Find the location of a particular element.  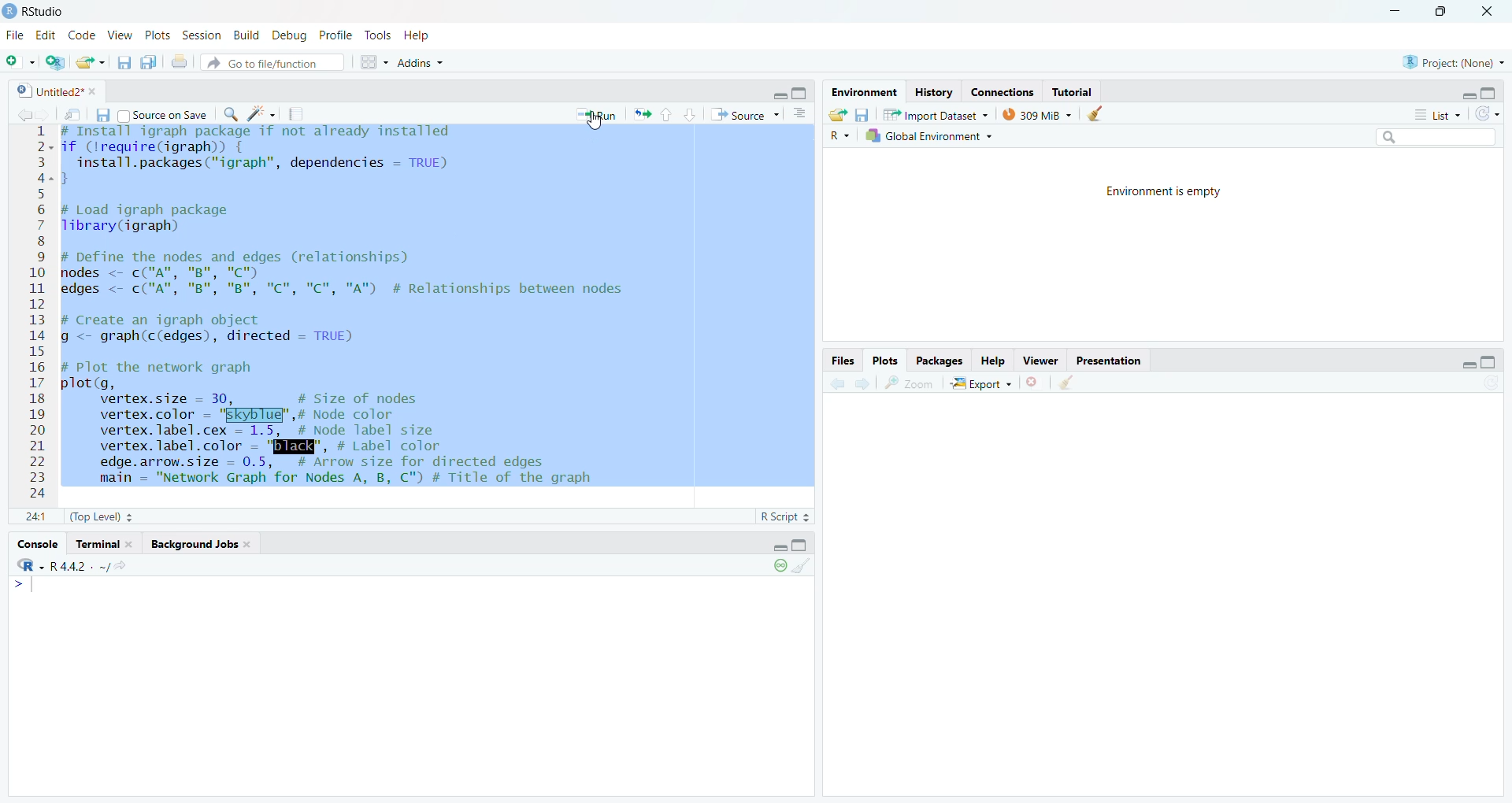

) RStudio is located at coordinates (38, 11).